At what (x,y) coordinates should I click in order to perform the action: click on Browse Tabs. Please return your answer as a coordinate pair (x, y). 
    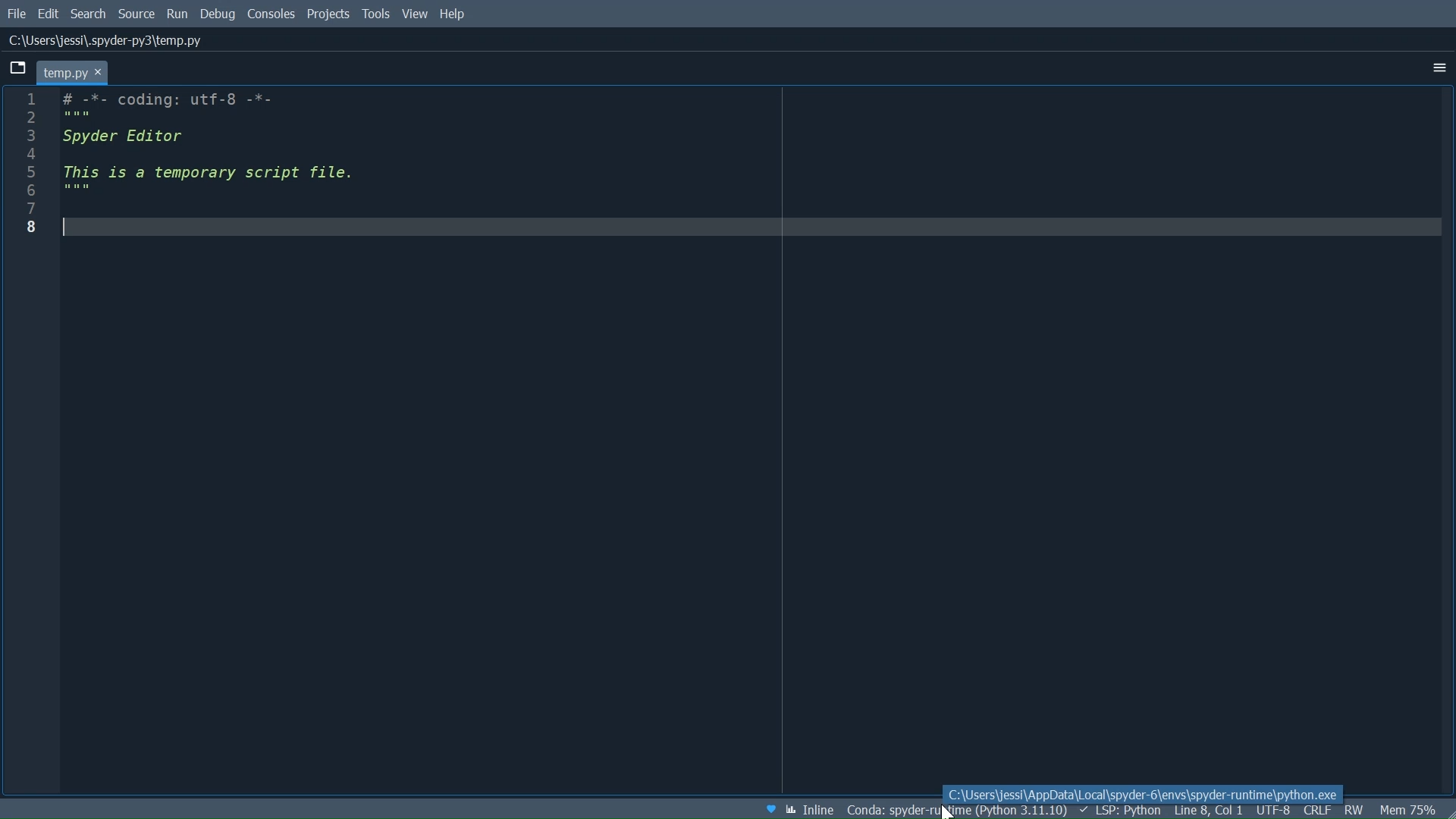
    Looking at the image, I should click on (17, 70).